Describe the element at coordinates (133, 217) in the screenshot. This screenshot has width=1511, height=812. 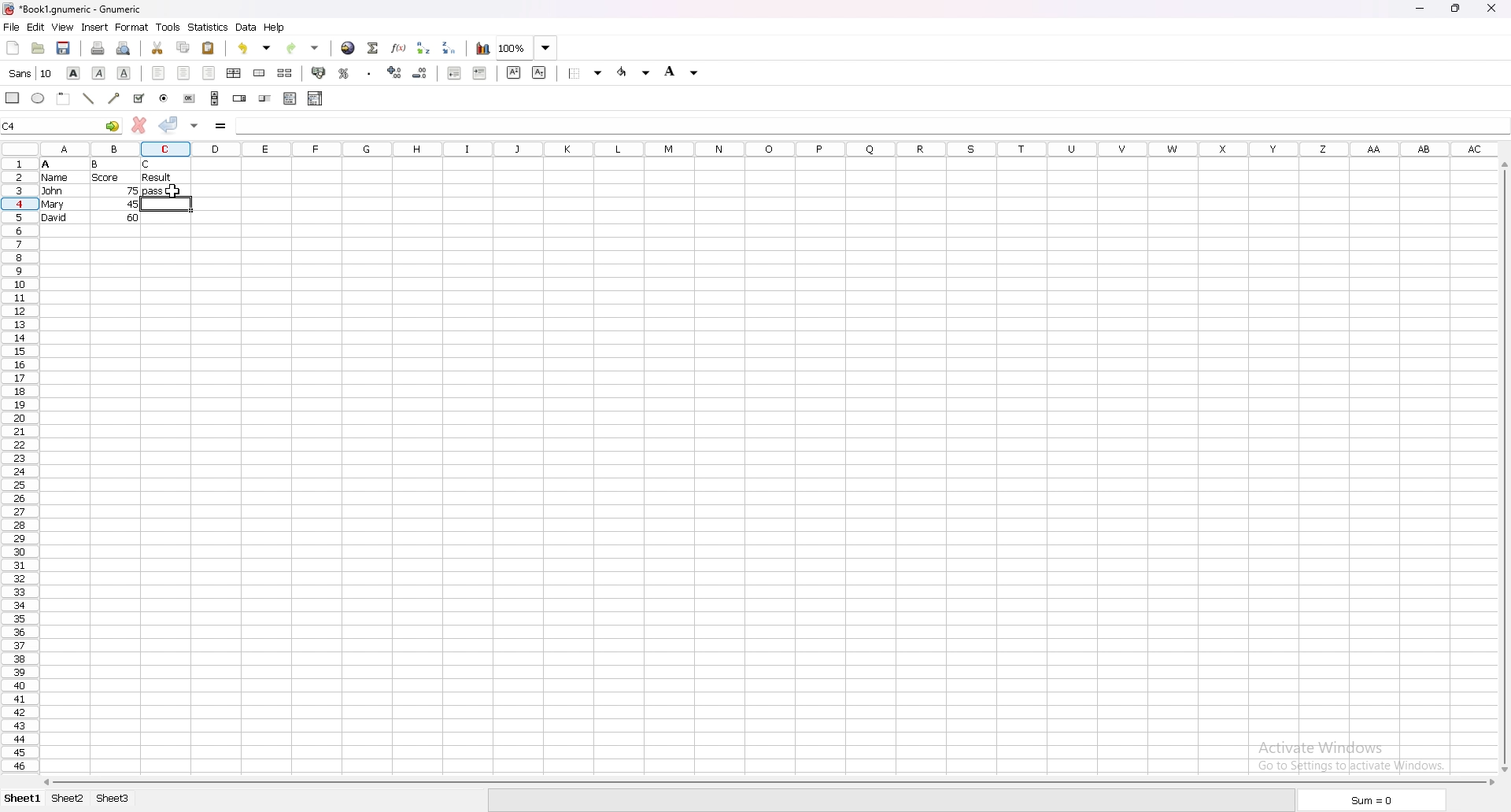
I see `60` at that location.